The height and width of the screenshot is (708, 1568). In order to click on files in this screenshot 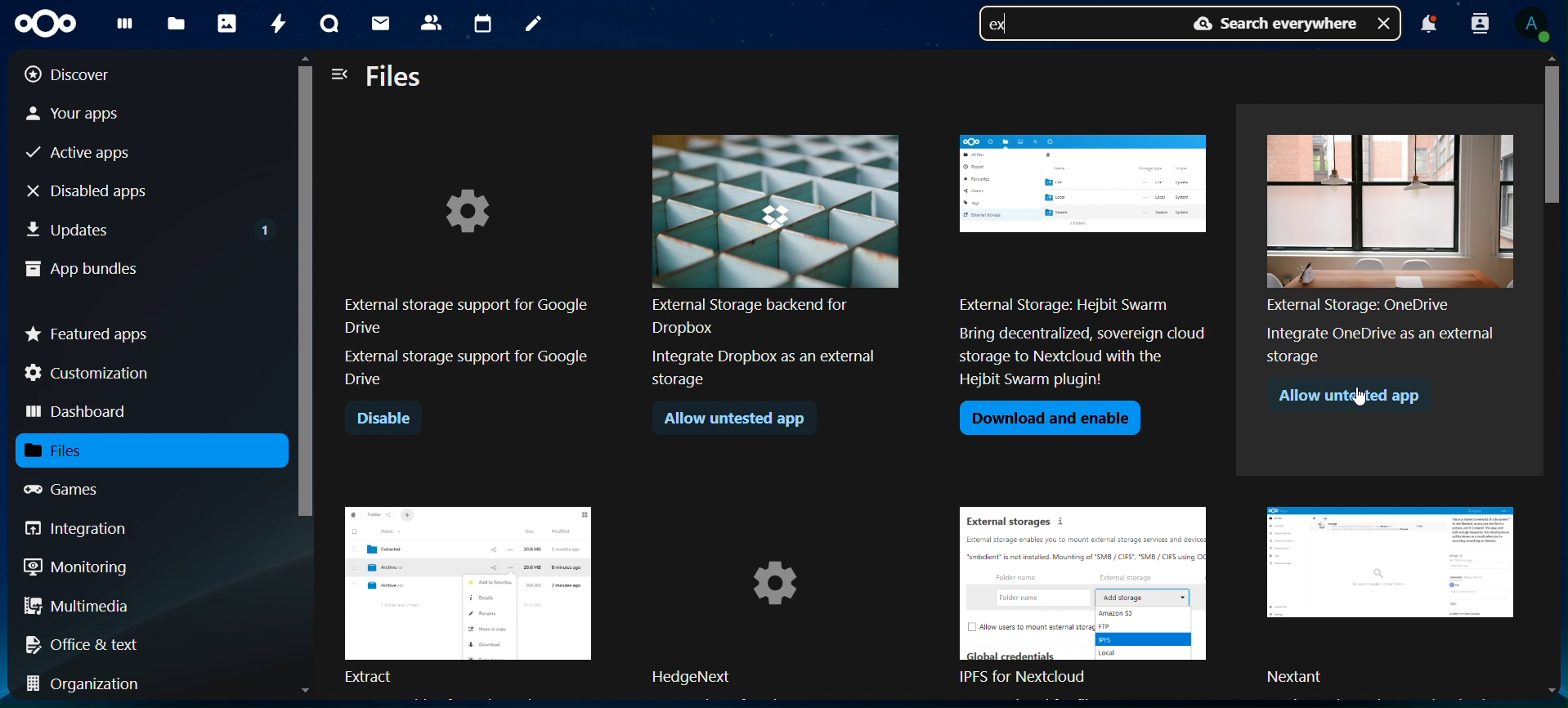, I will do `click(396, 78)`.